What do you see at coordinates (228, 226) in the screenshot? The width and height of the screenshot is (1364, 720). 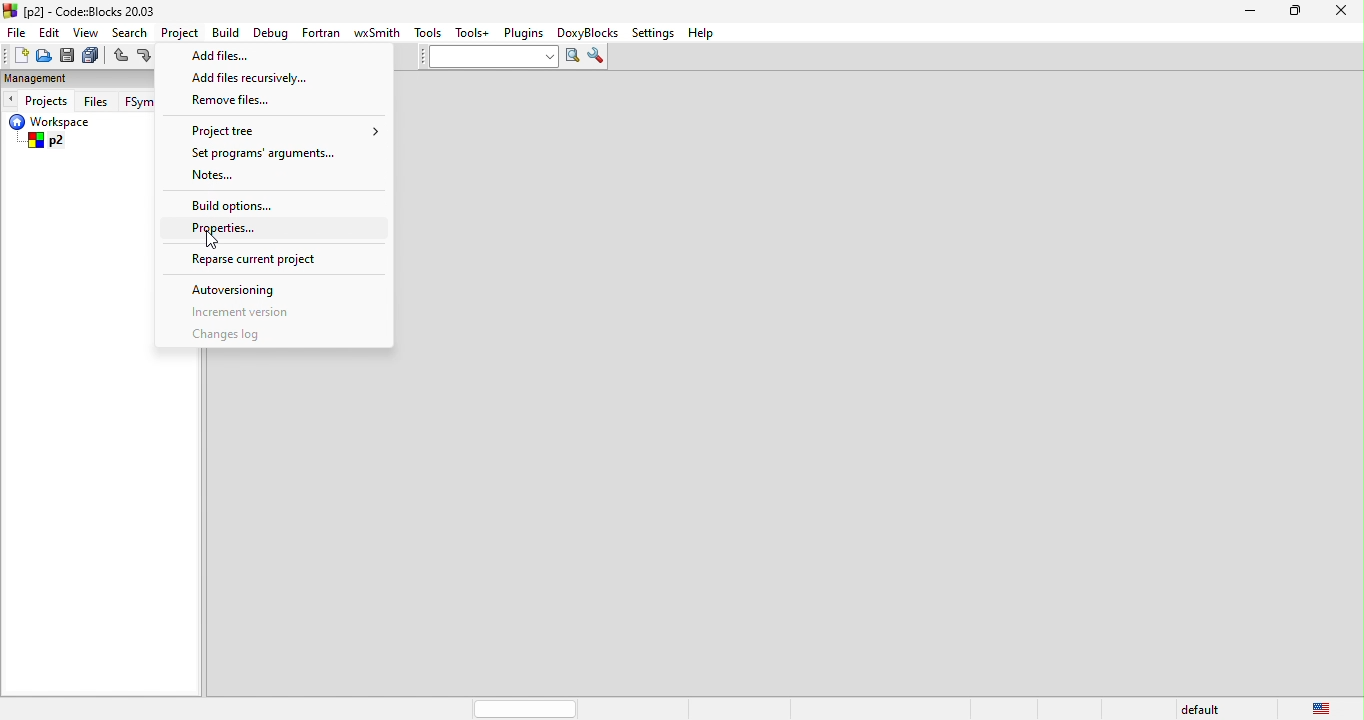 I see `properties` at bounding box center [228, 226].